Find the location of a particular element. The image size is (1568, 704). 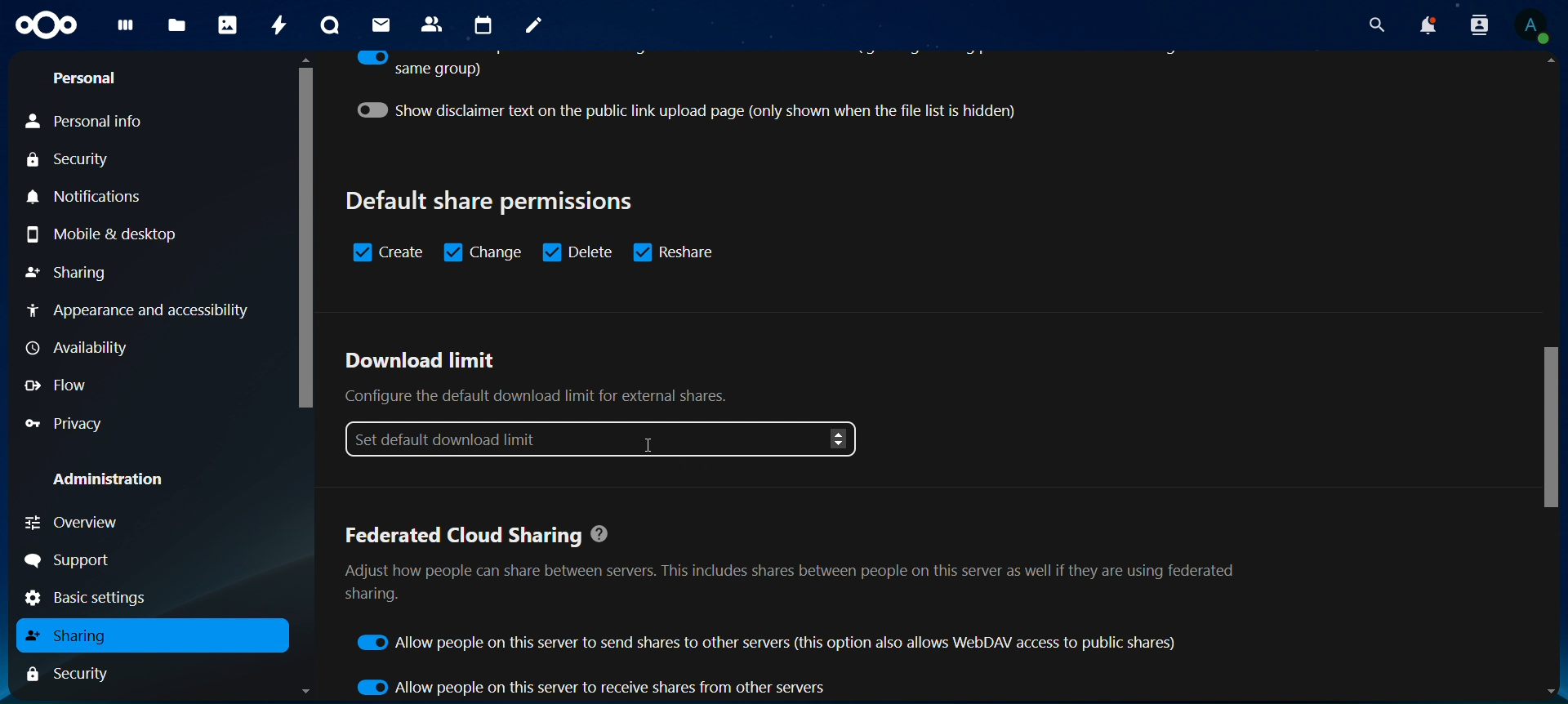

dashboard is located at coordinates (126, 29).